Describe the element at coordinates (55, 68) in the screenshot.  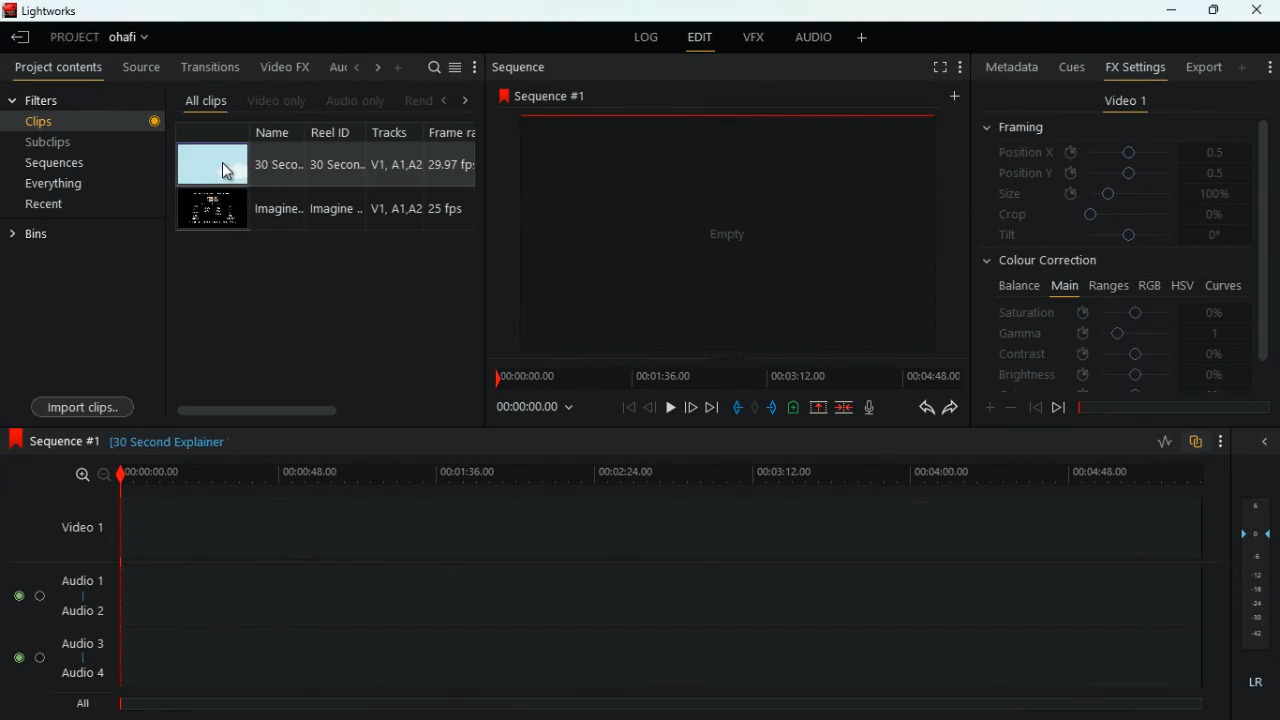
I see `project contents` at that location.